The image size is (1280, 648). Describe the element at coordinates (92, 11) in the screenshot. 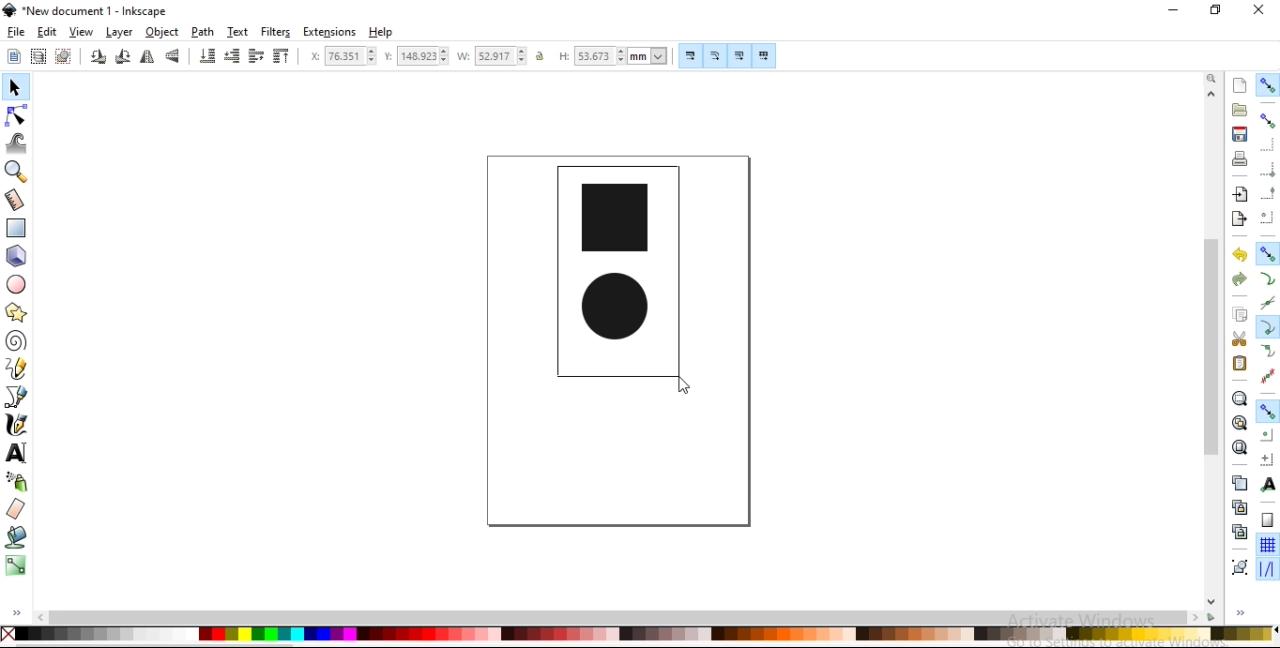

I see `new document 1 -Inksacpe` at that location.